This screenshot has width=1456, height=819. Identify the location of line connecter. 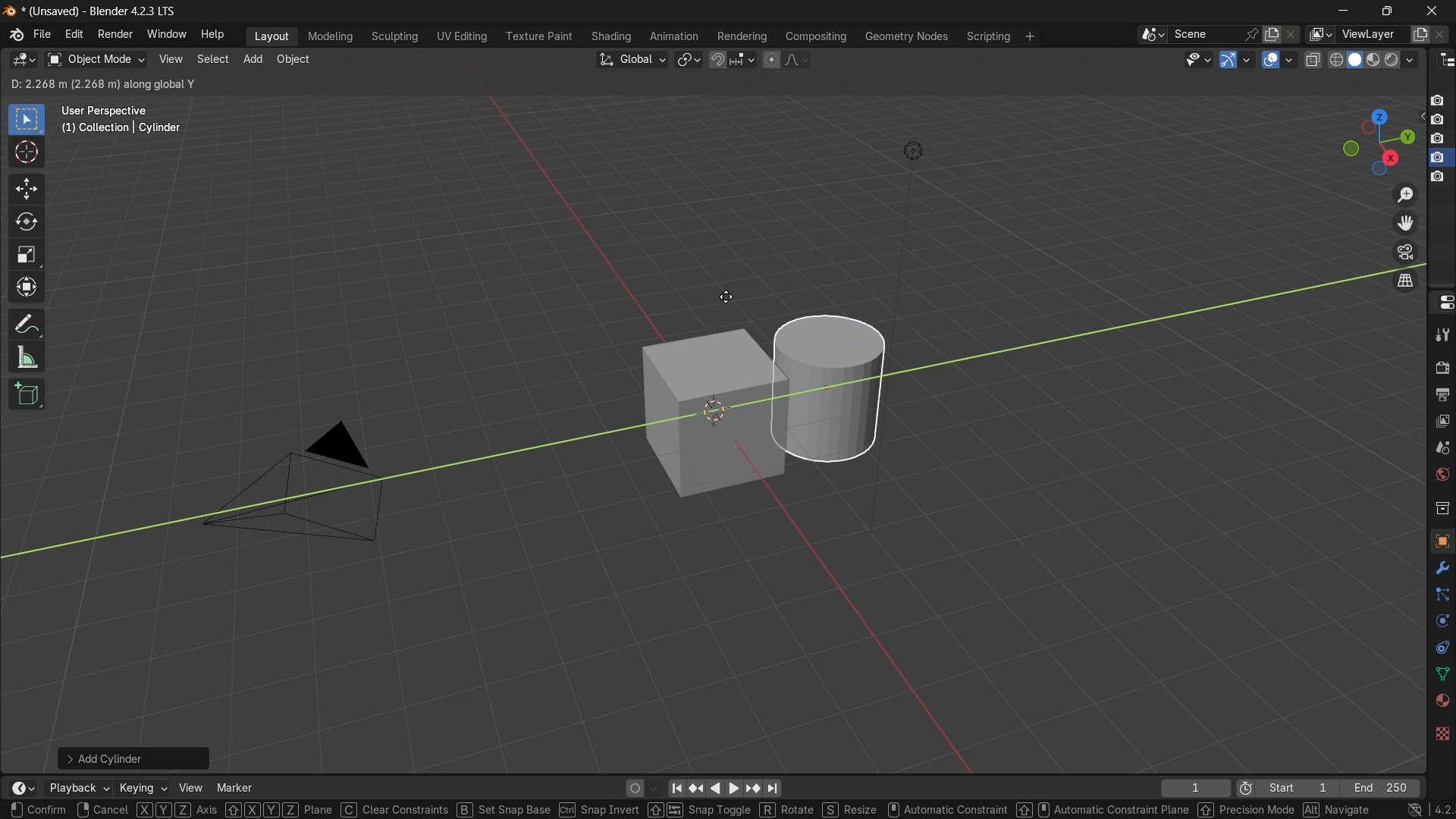
(1436, 595).